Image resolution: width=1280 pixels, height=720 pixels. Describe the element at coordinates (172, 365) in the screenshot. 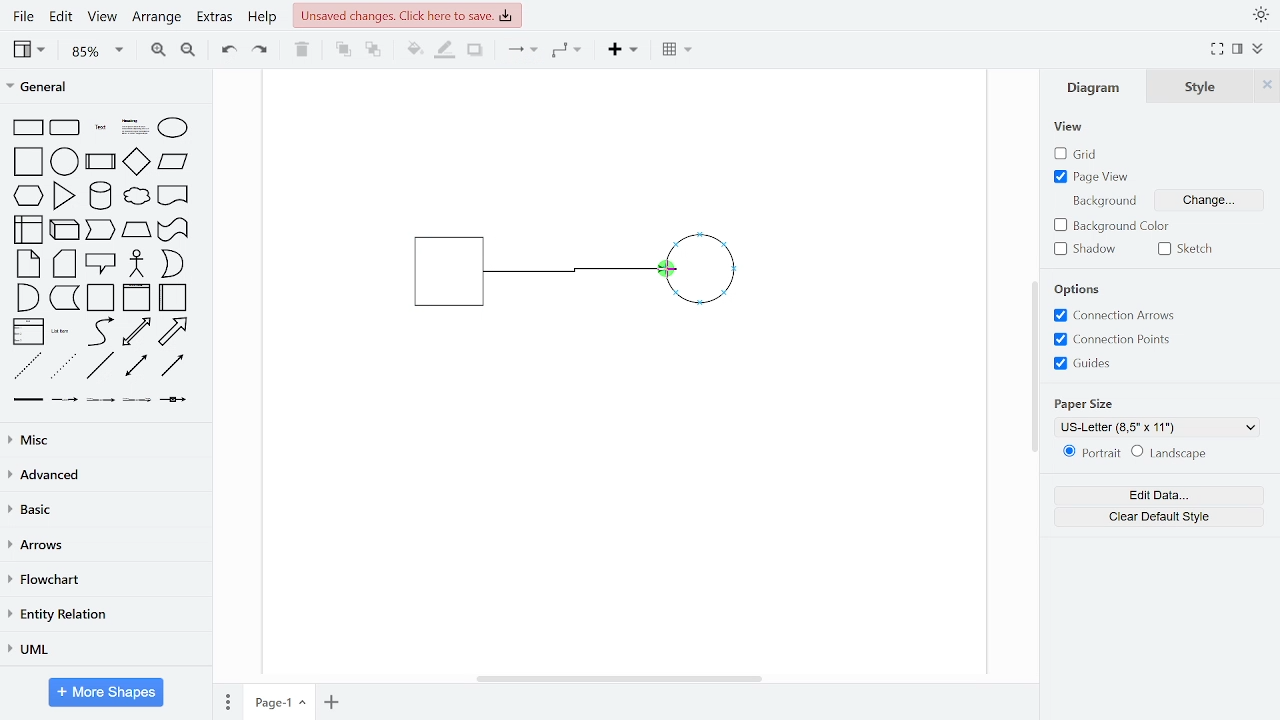

I see `directional connector` at that location.